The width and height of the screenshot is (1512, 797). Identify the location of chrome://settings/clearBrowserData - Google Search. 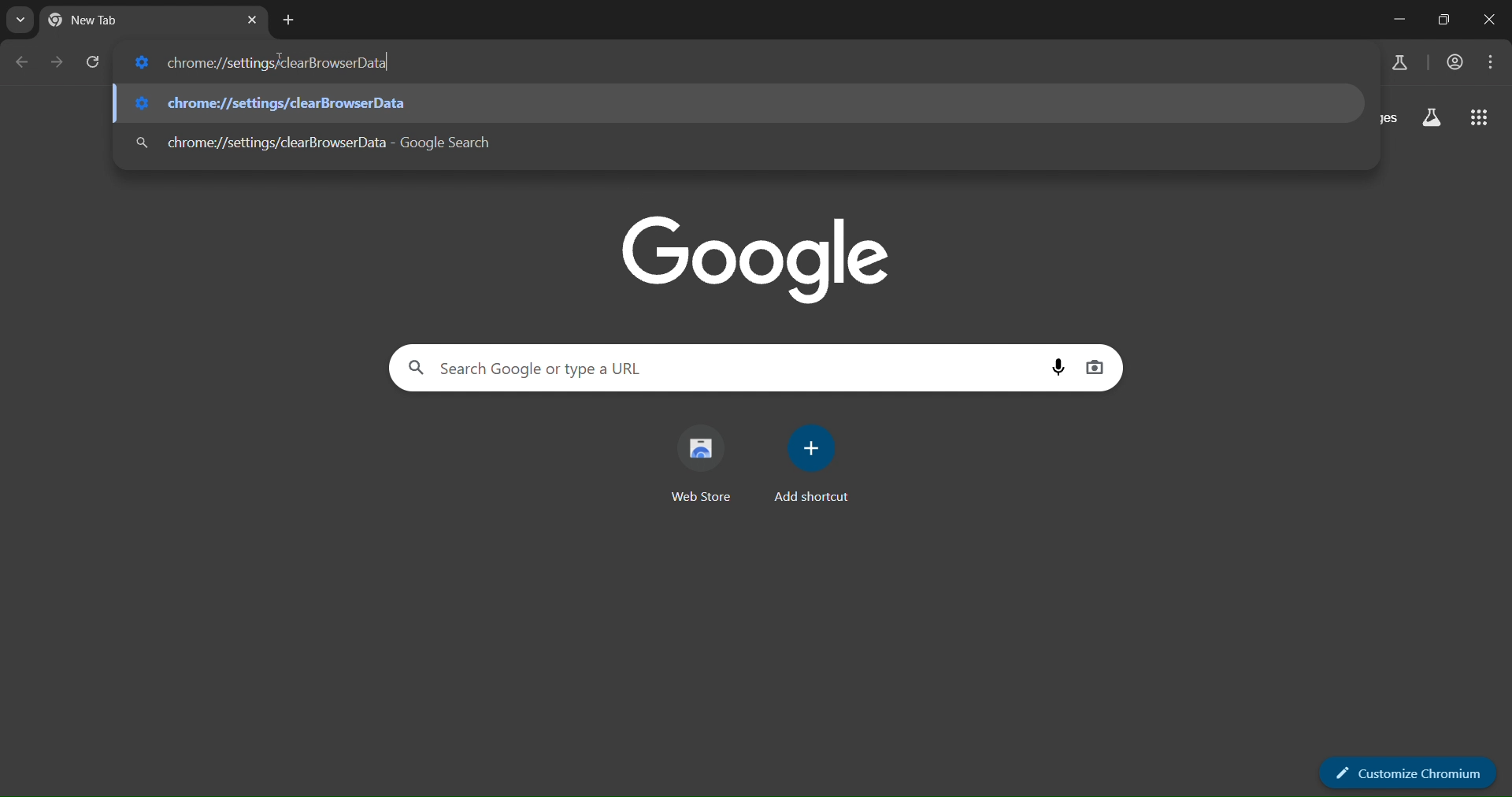
(765, 145).